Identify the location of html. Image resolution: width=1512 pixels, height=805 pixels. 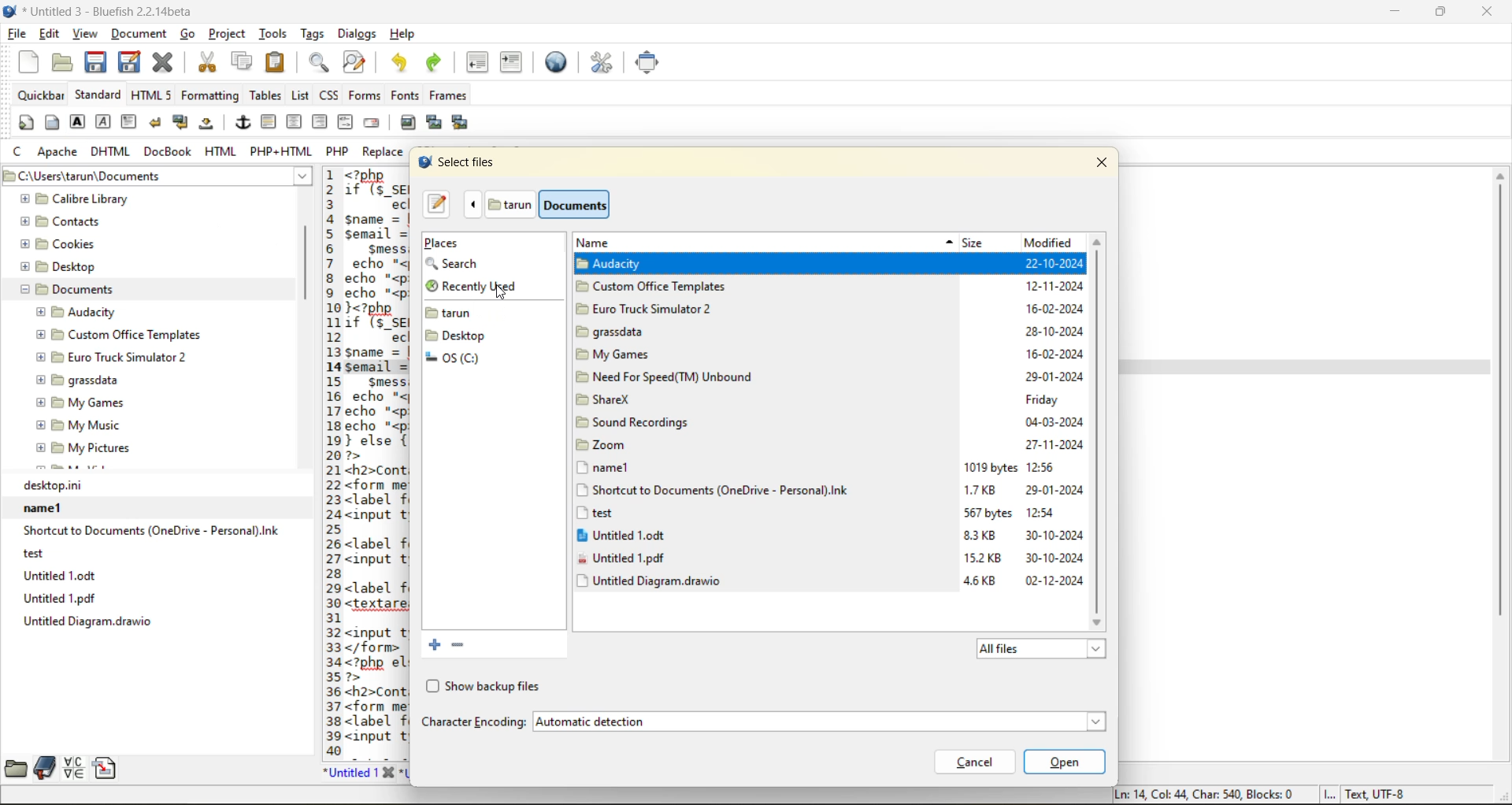
(221, 153).